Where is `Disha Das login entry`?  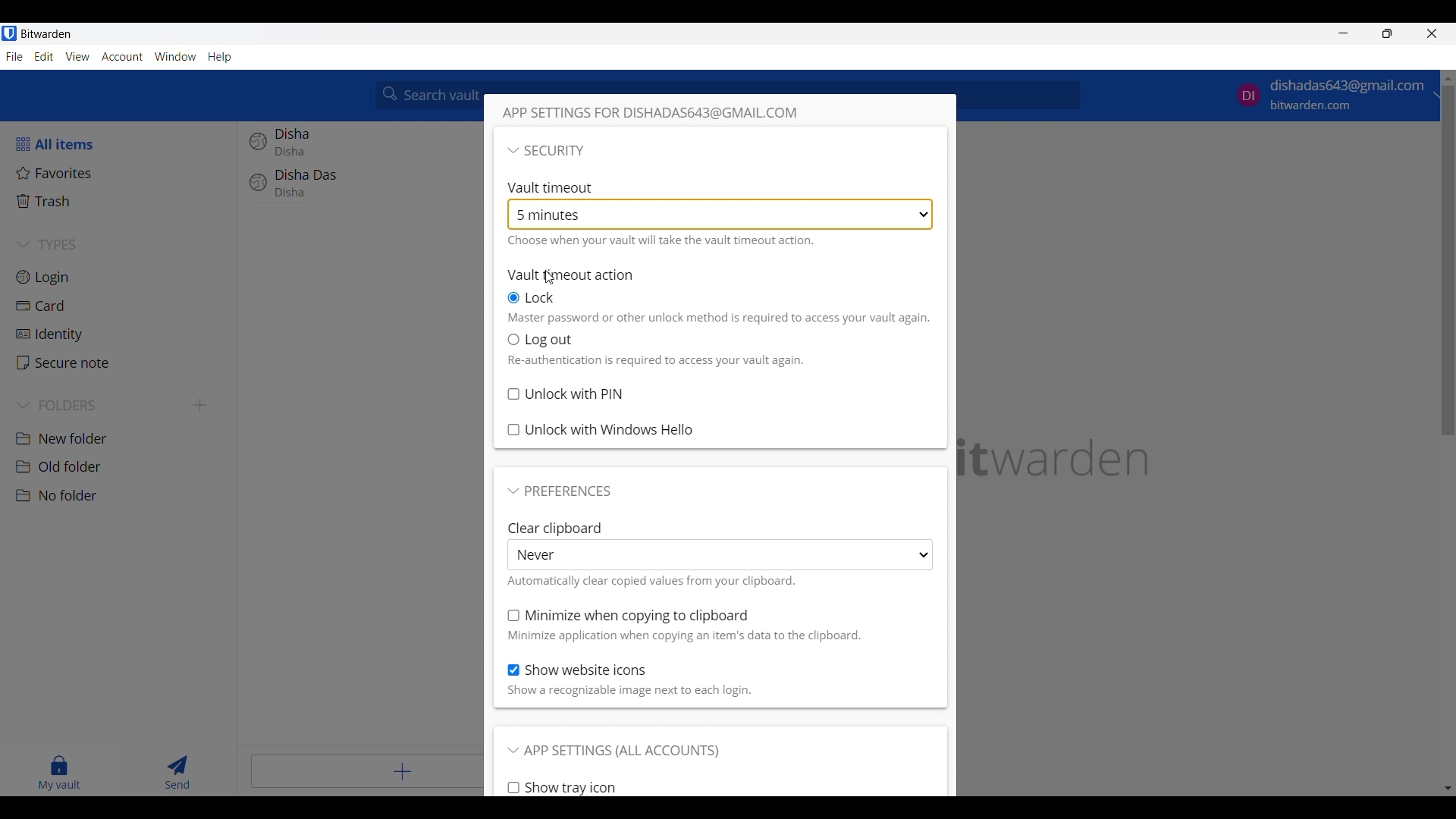 Disha Das login entry is located at coordinates (362, 190).